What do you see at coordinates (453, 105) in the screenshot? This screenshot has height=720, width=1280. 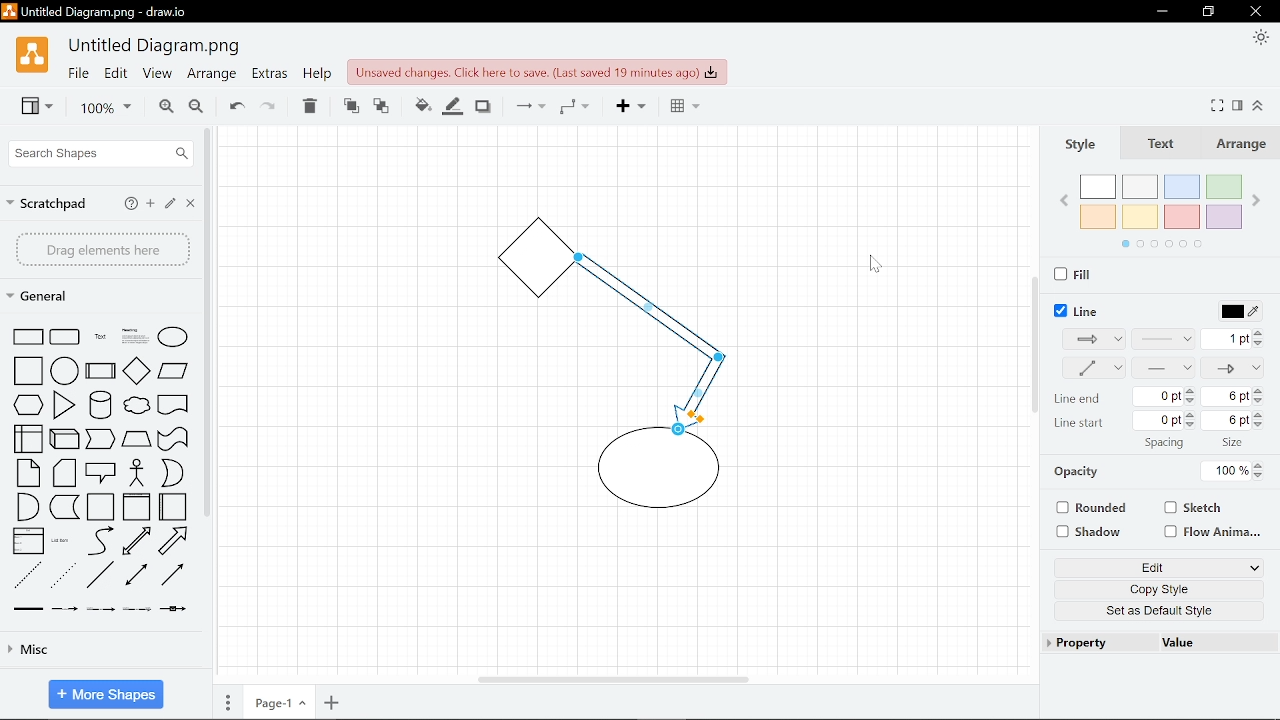 I see `Fill color` at bounding box center [453, 105].